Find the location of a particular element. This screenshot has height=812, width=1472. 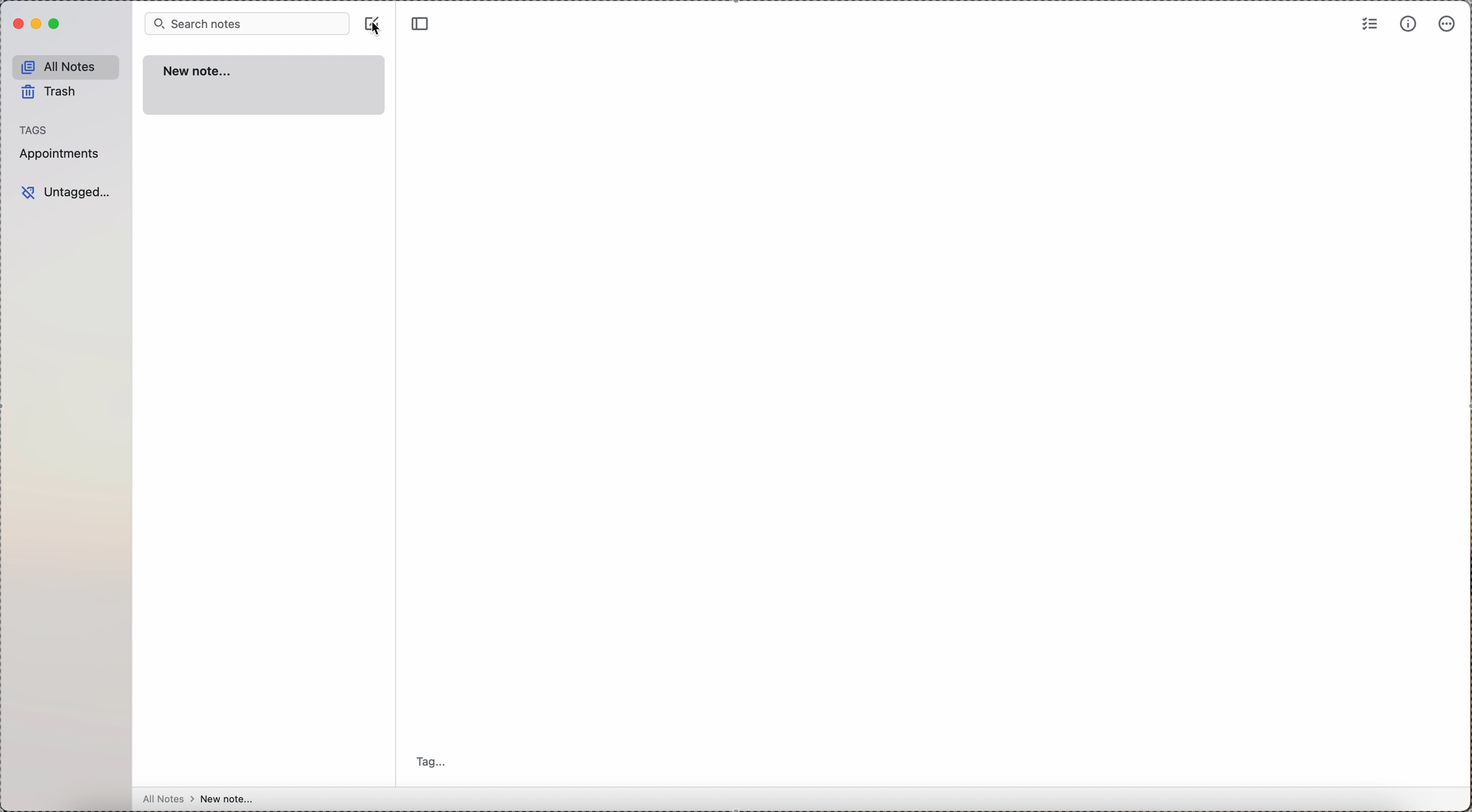

tag is located at coordinates (435, 760).